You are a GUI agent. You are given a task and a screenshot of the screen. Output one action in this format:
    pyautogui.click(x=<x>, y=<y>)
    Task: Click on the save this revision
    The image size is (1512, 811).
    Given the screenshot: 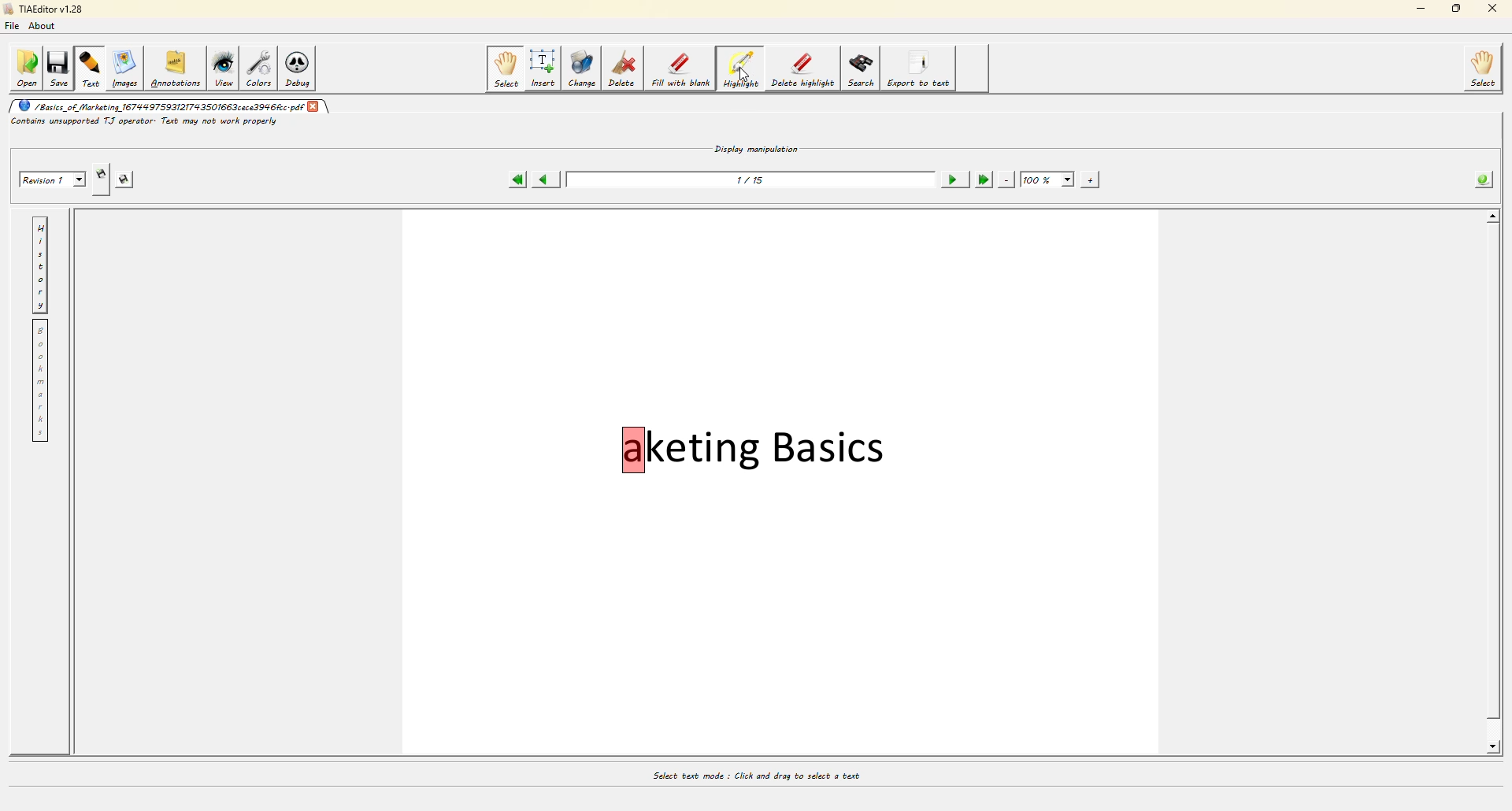 What is the action you would take?
    pyautogui.click(x=123, y=177)
    